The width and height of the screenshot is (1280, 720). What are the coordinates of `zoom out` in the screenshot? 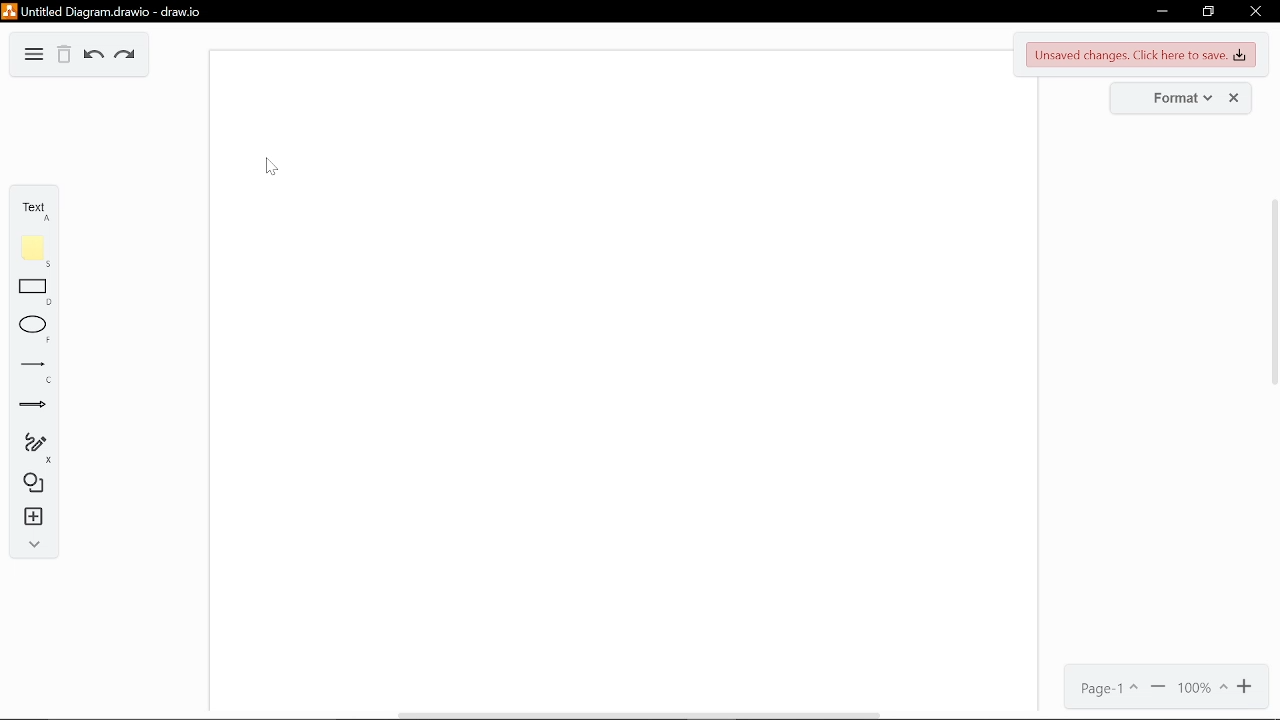 It's located at (1159, 688).